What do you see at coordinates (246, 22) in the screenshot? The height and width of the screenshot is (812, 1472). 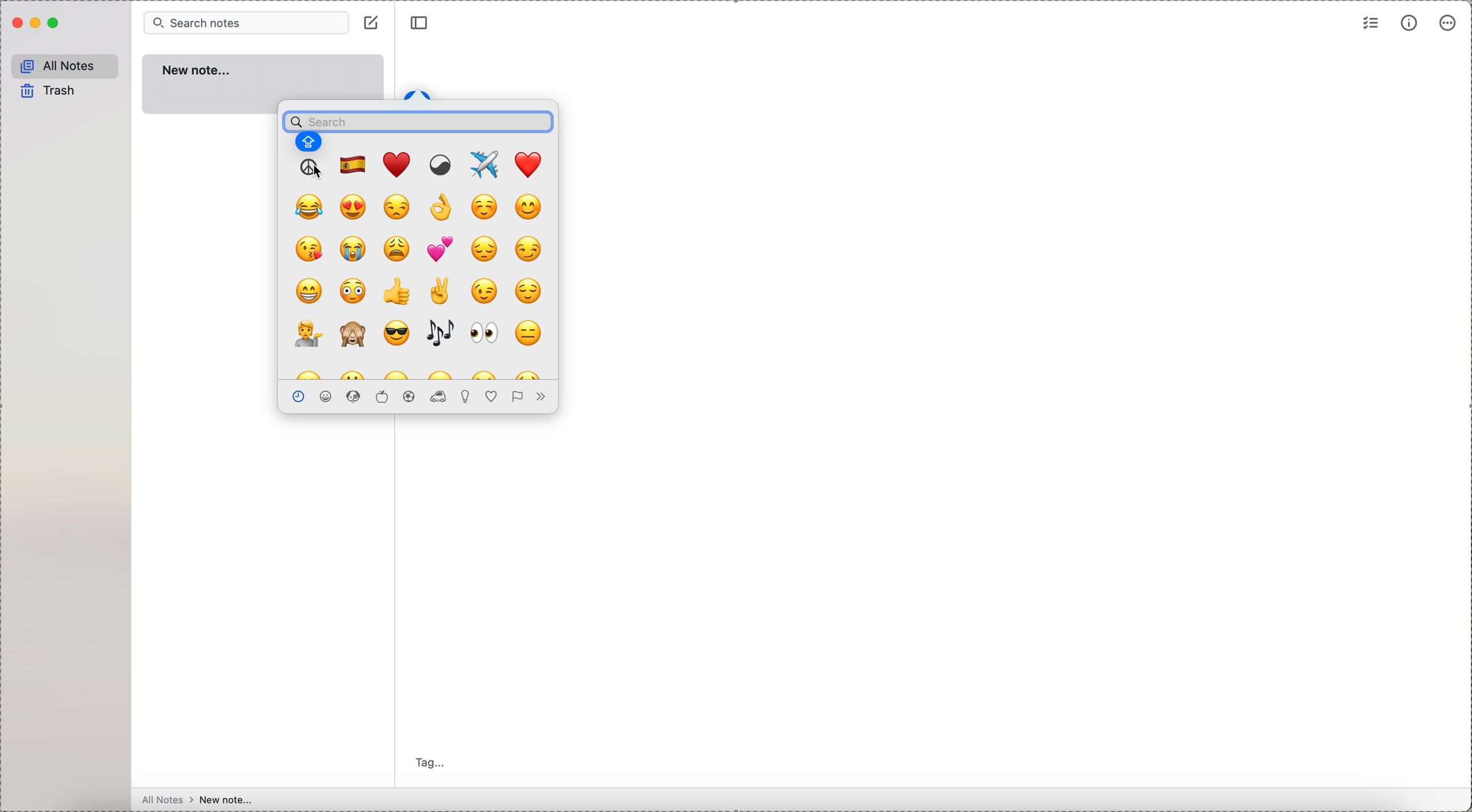 I see `search bar` at bounding box center [246, 22].